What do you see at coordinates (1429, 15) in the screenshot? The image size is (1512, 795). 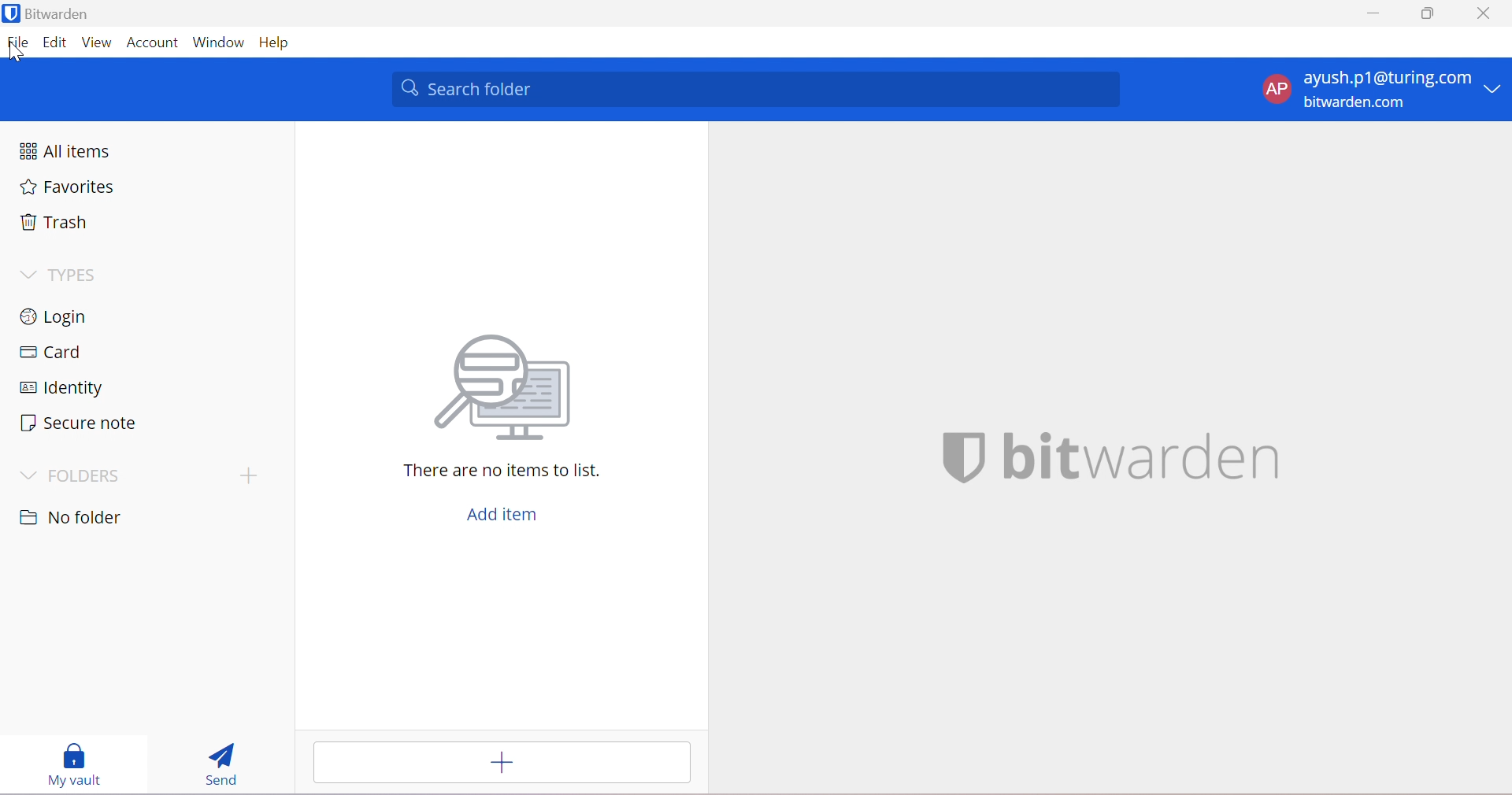 I see `Restore Down` at bounding box center [1429, 15].